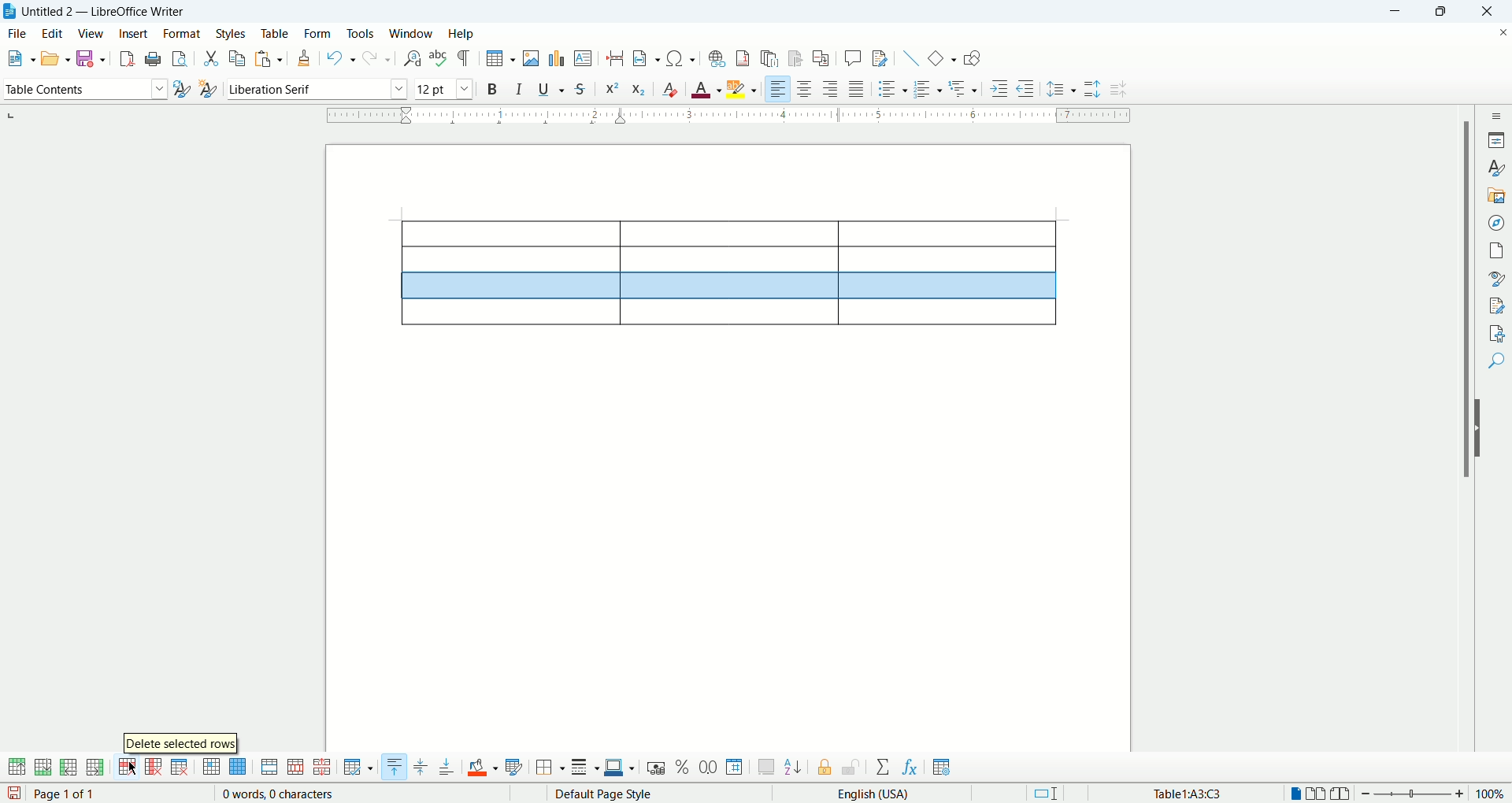  I want to click on default page style, so click(602, 794).